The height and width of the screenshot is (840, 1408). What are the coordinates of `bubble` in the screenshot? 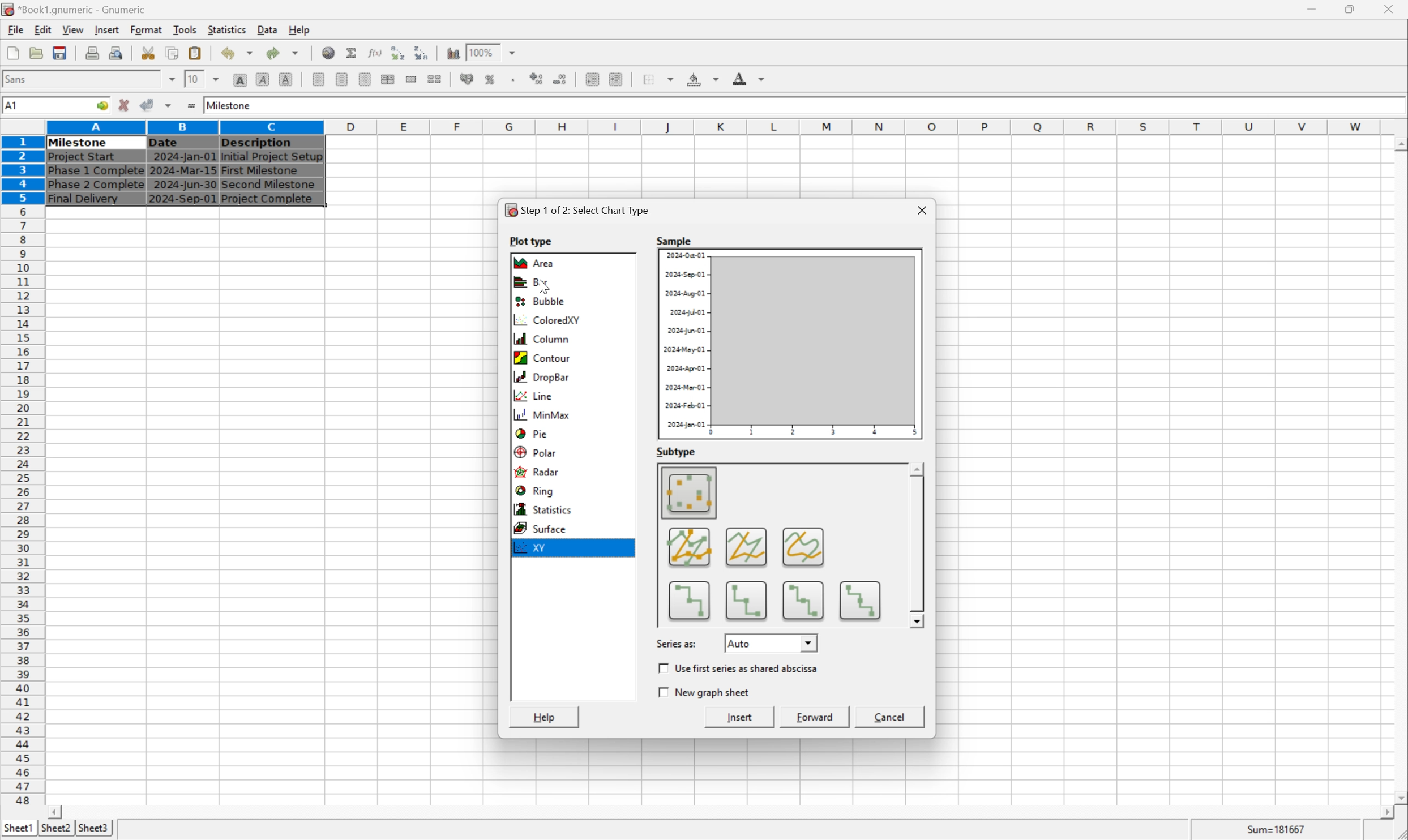 It's located at (537, 302).